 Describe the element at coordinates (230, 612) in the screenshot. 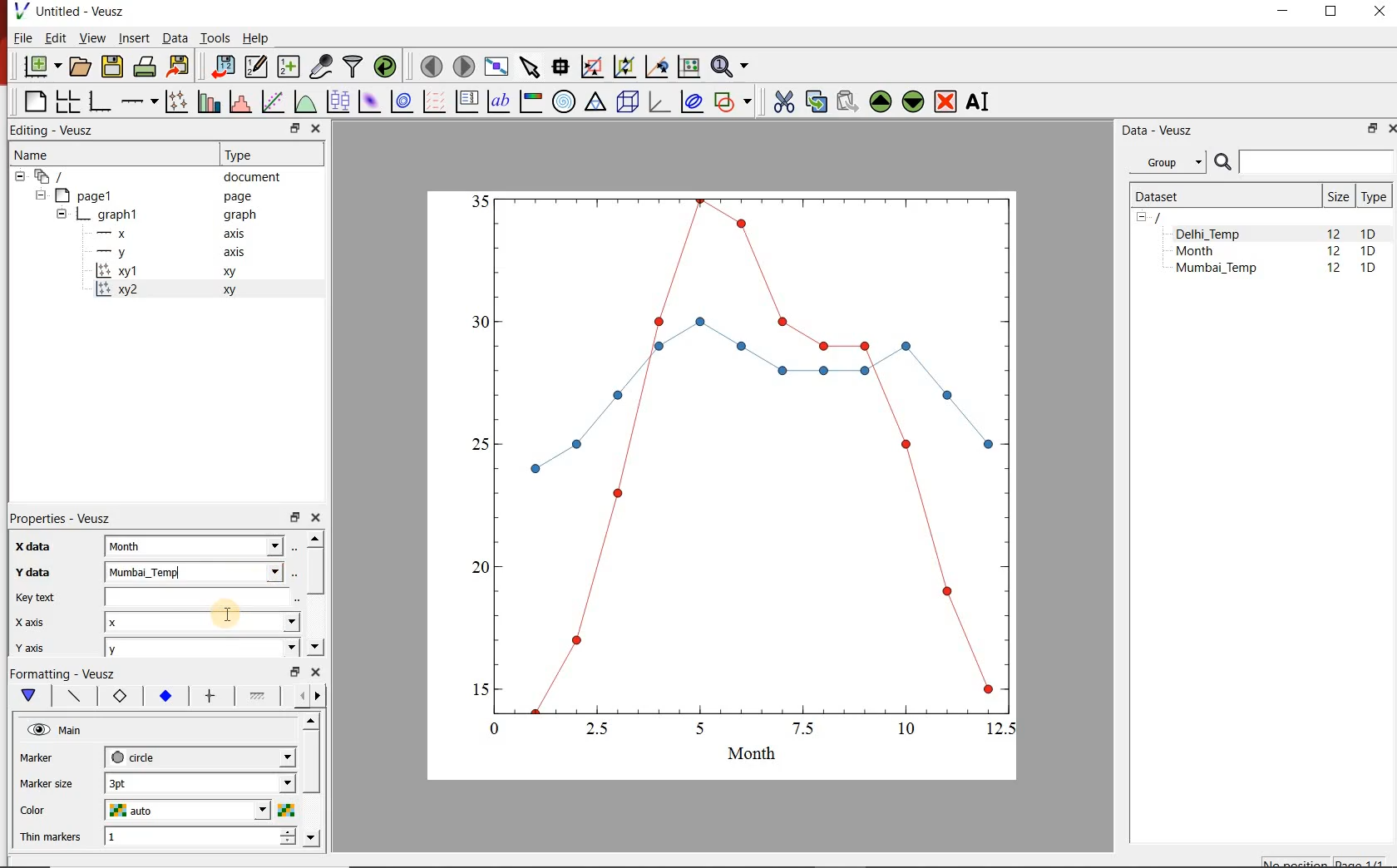

I see `cursor` at that location.